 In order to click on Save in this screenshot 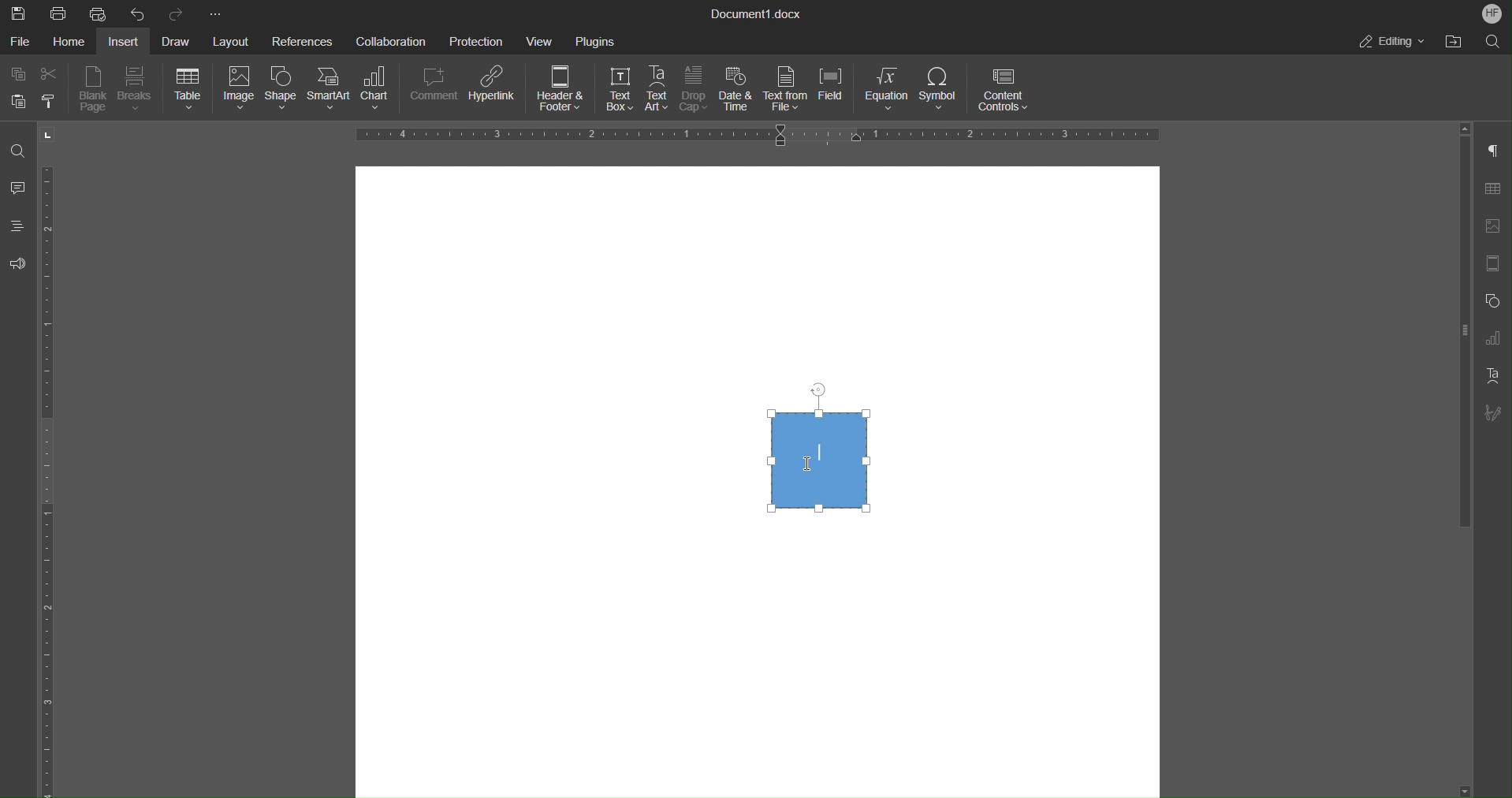, I will do `click(16, 12)`.